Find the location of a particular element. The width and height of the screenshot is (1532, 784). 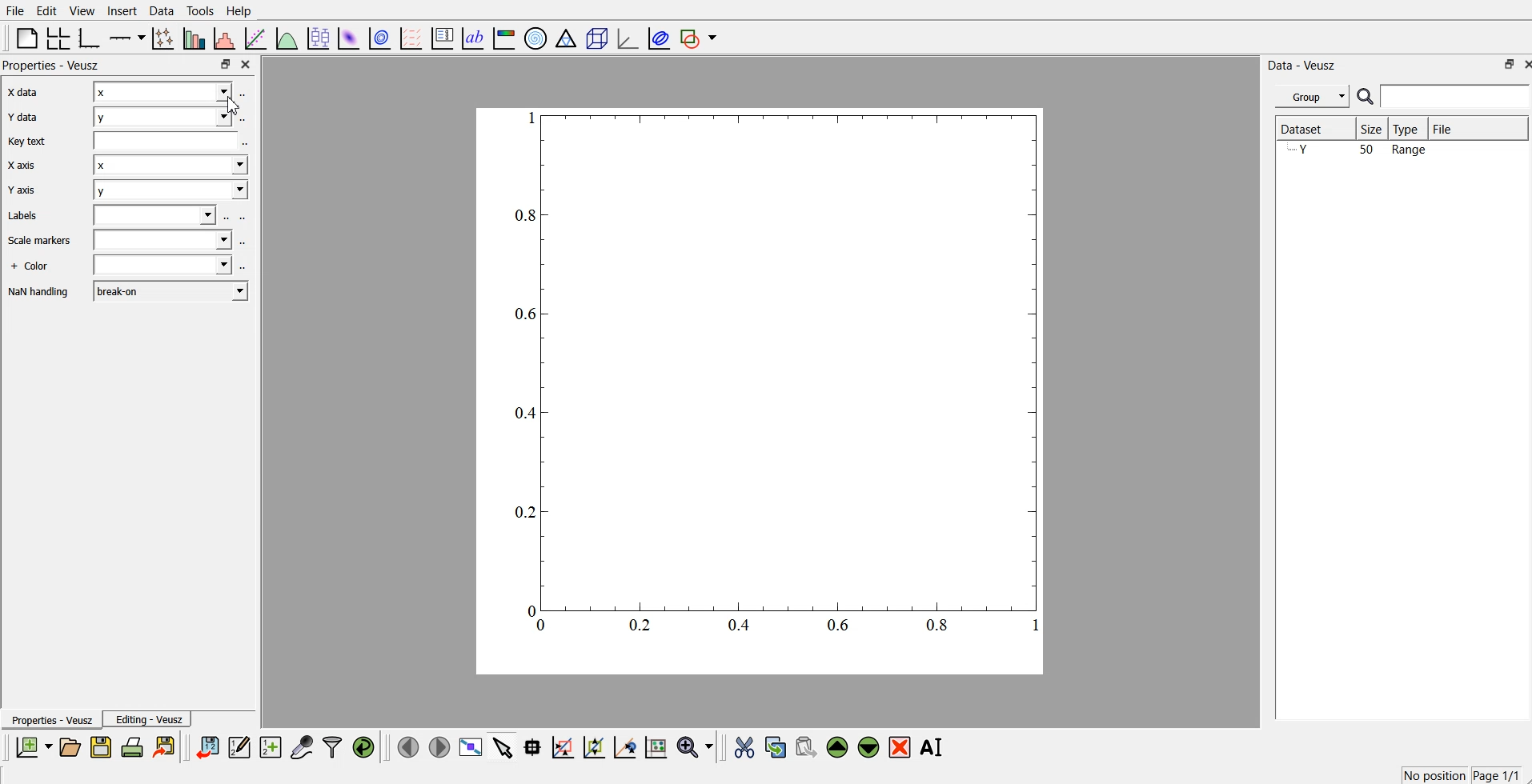

¥ data is located at coordinates (35, 117).